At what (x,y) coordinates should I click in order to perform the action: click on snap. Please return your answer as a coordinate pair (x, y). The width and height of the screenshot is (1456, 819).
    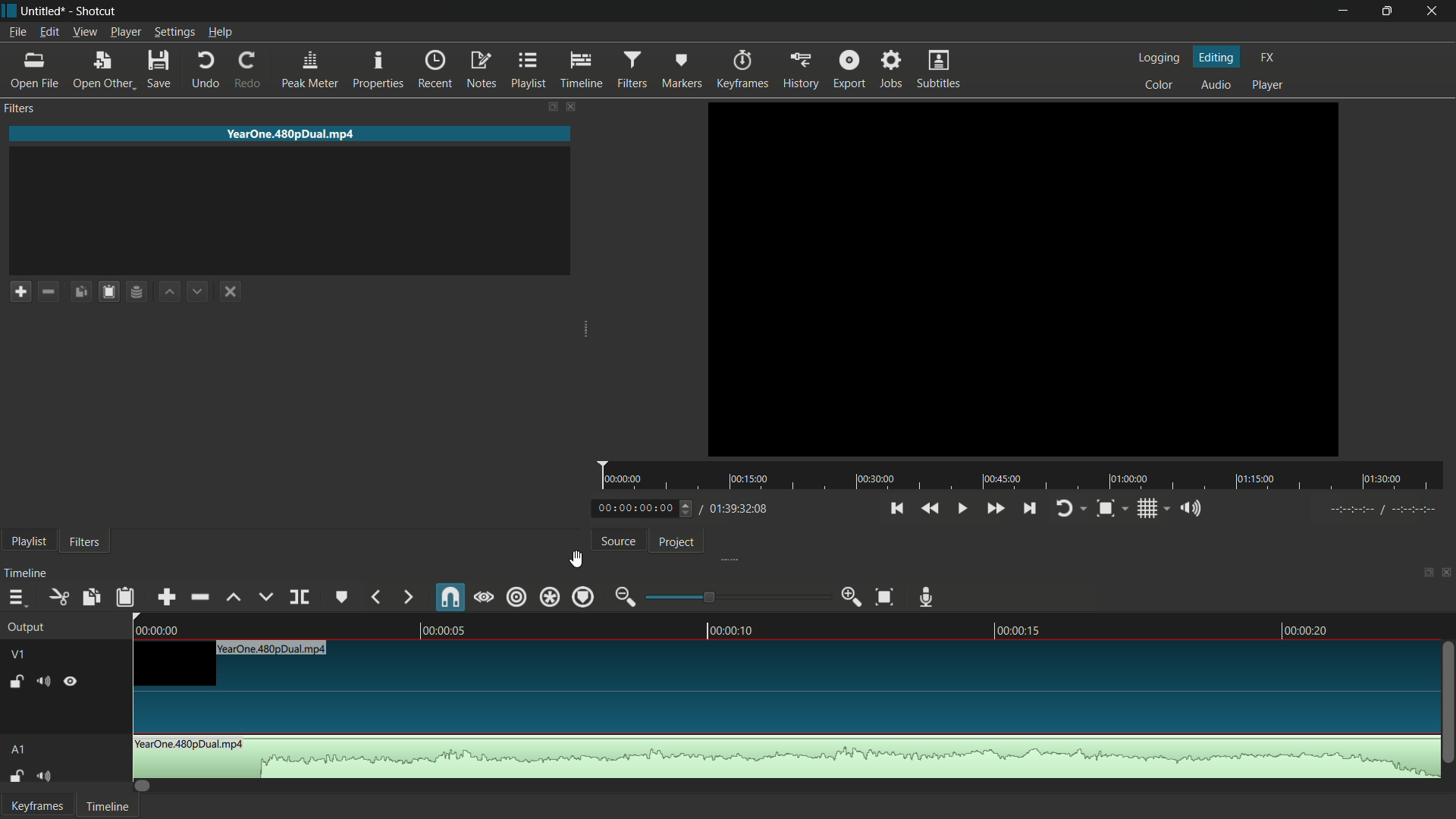
    Looking at the image, I should click on (450, 597).